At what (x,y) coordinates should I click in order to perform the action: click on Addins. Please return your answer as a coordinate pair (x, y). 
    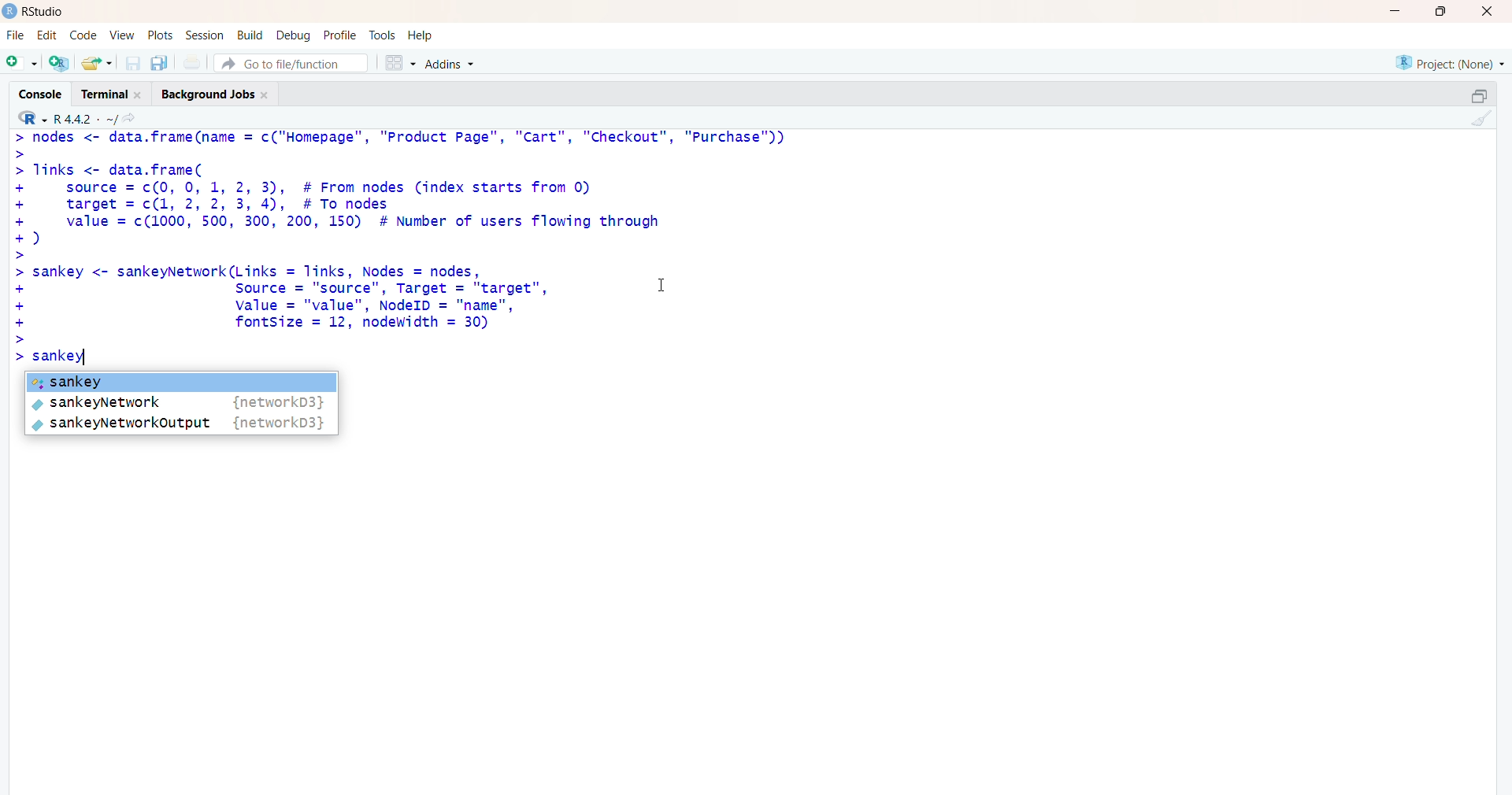
    Looking at the image, I should click on (449, 65).